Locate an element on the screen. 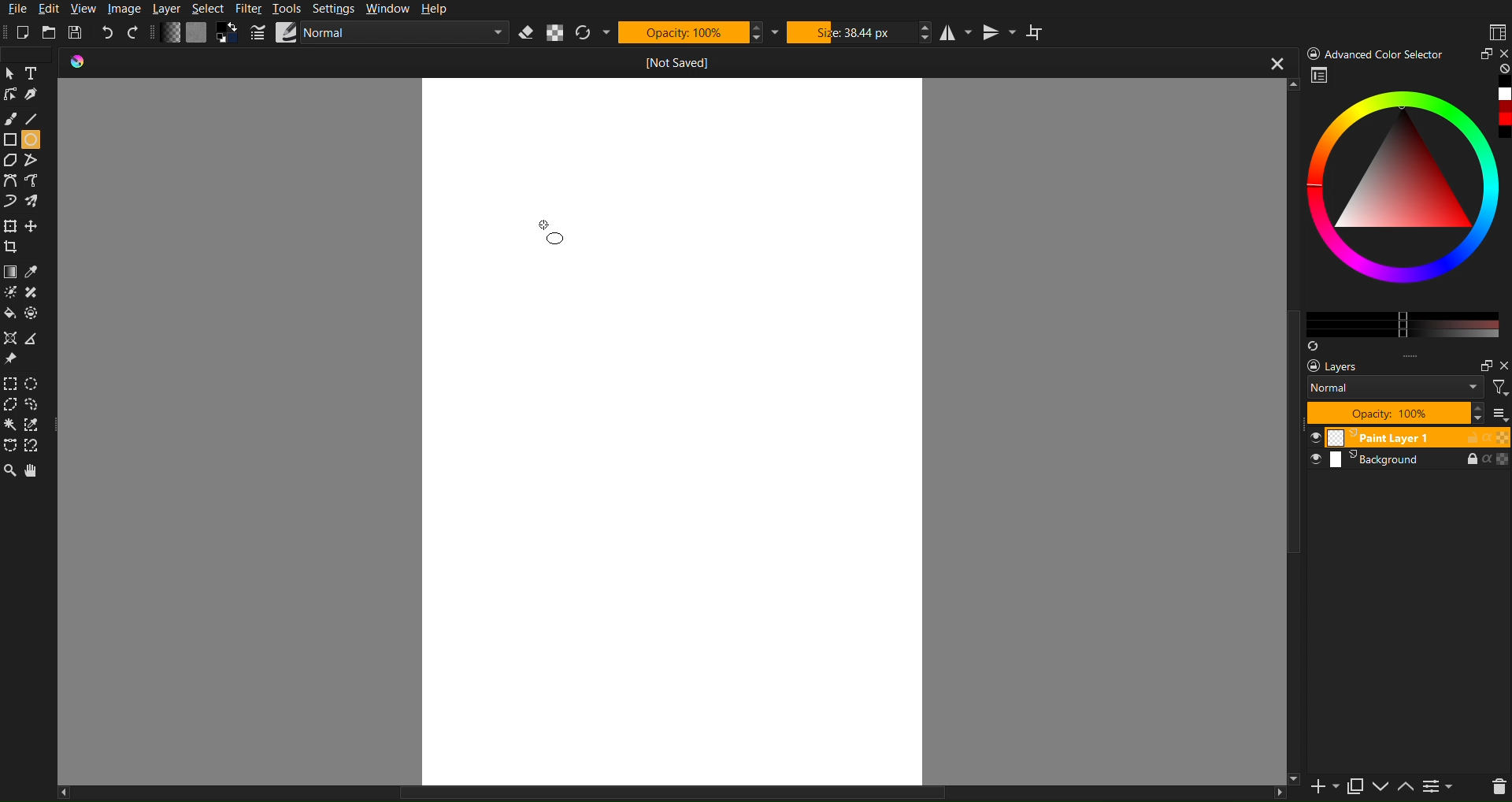  more is located at coordinates (1501, 412).